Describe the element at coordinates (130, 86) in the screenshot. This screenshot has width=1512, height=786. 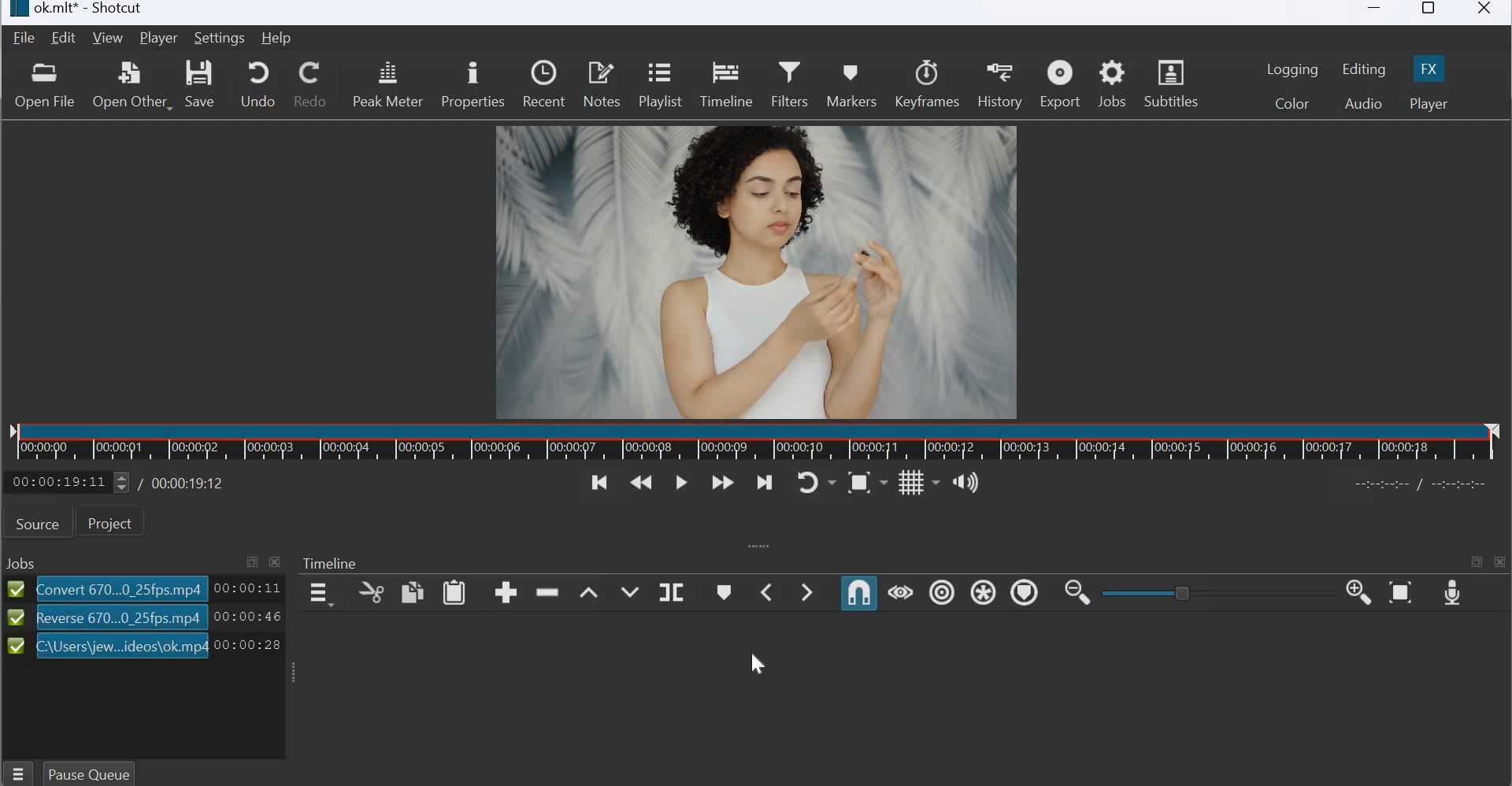
I see `Open other` at that location.